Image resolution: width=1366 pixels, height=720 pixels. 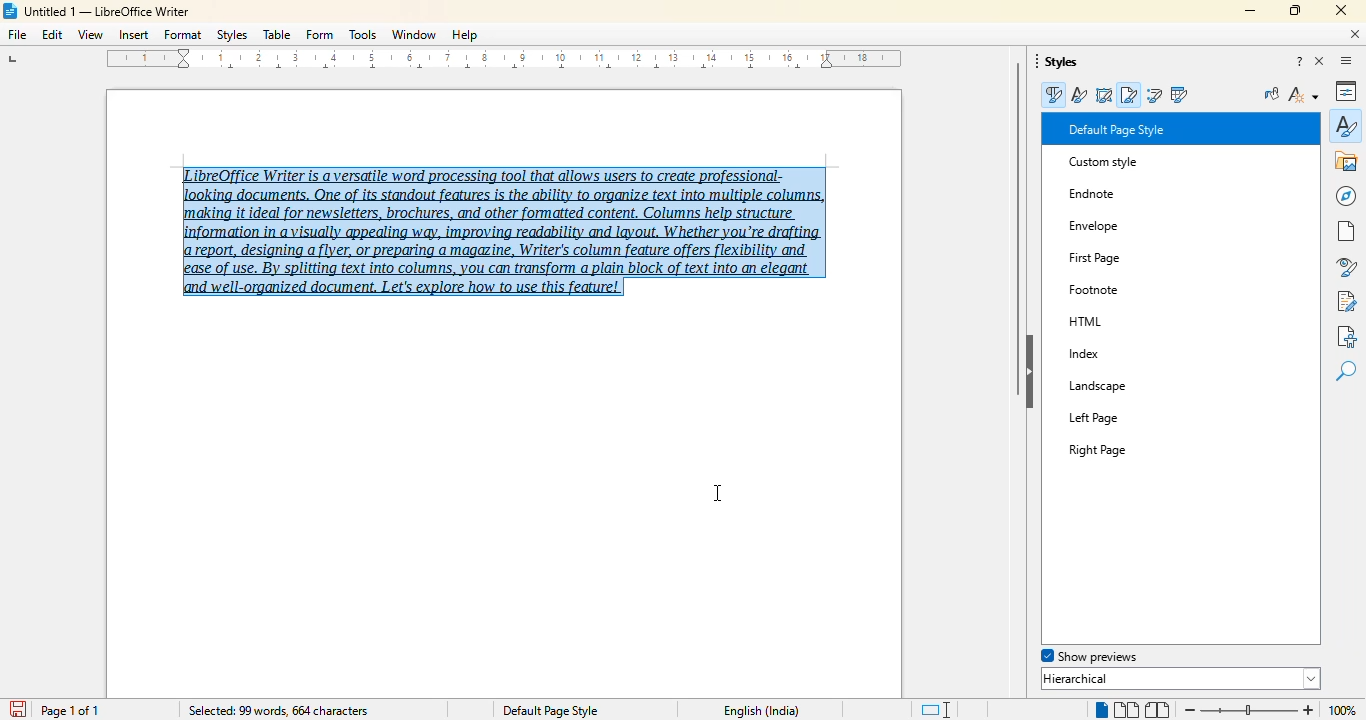 I want to click on  LibreOffice Writer is a versatile word processing tool that allows users to create professional-‘making it ideal for newsletters, brochures, and other formatted content, Columns help structure report, designing a flyer, or preparing a magazine, Writer's column feature offers flexibility and ease of use. By splitting text into columns, you can transform a plain block of text into an elegant and well-organized document. Let's explore how to use this feature! (text selected), so click(x=503, y=225).